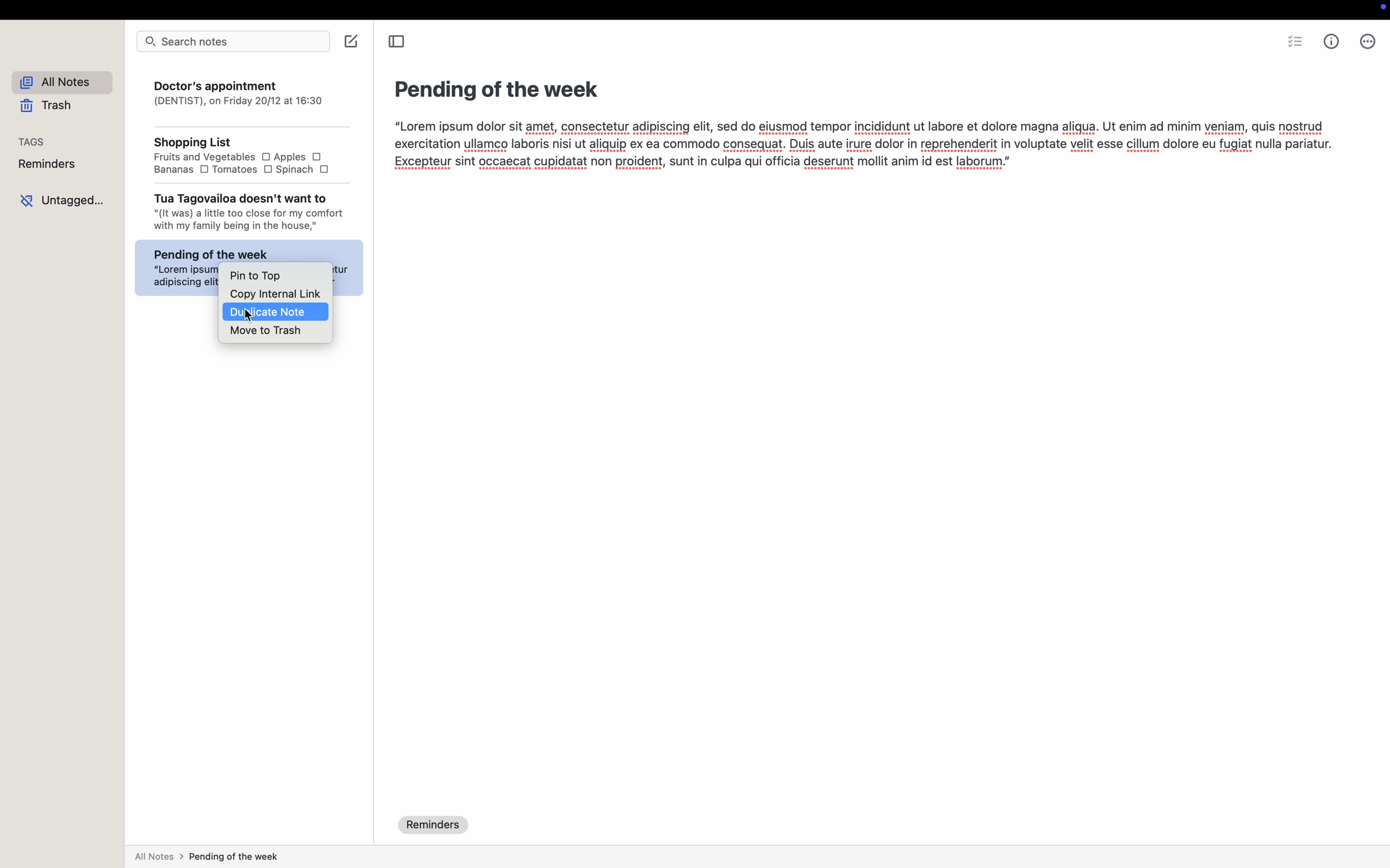 This screenshot has height=868, width=1390. Describe the element at coordinates (396, 41) in the screenshot. I see `toggle sidebar` at that location.